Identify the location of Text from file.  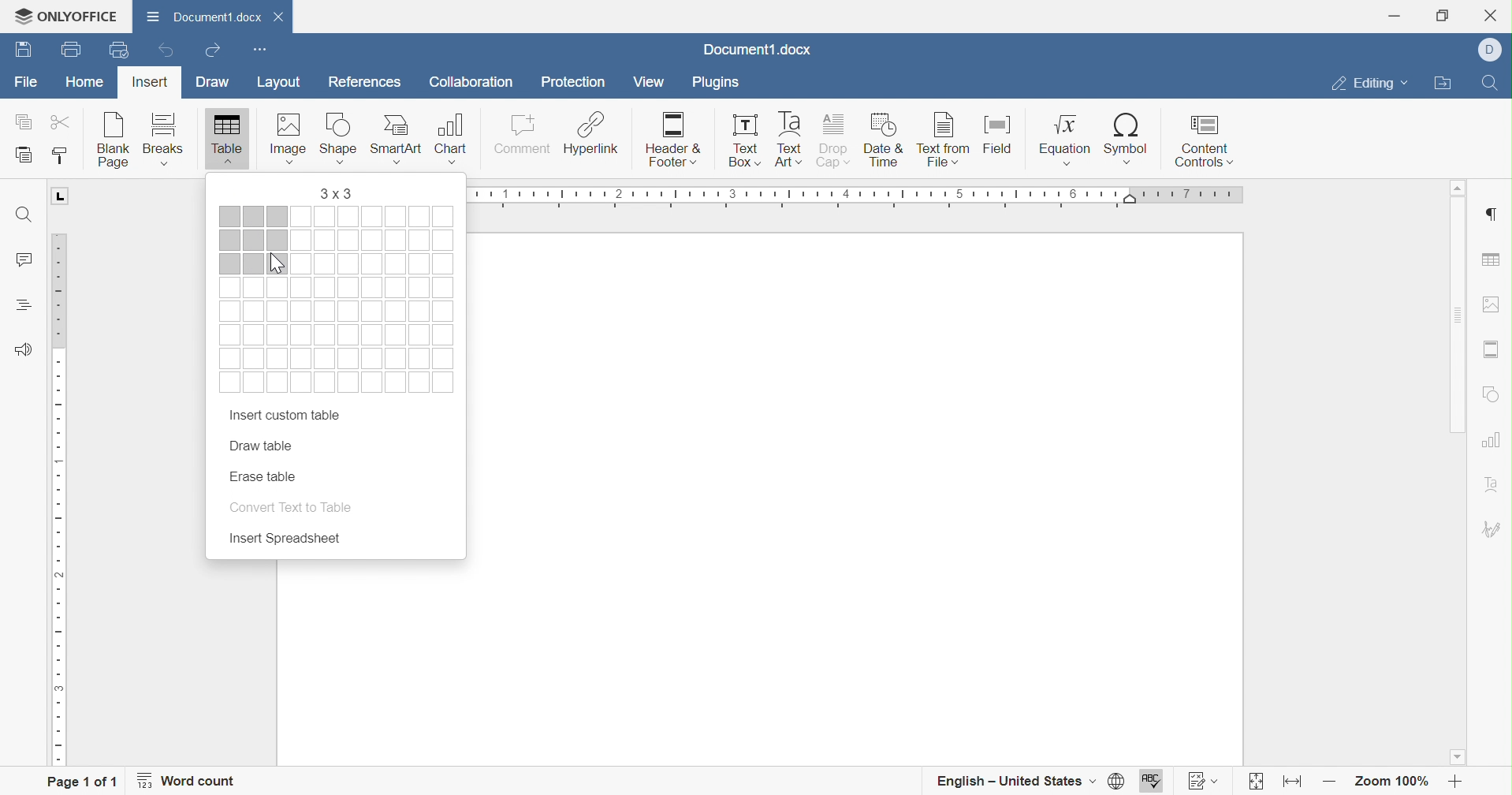
(944, 139).